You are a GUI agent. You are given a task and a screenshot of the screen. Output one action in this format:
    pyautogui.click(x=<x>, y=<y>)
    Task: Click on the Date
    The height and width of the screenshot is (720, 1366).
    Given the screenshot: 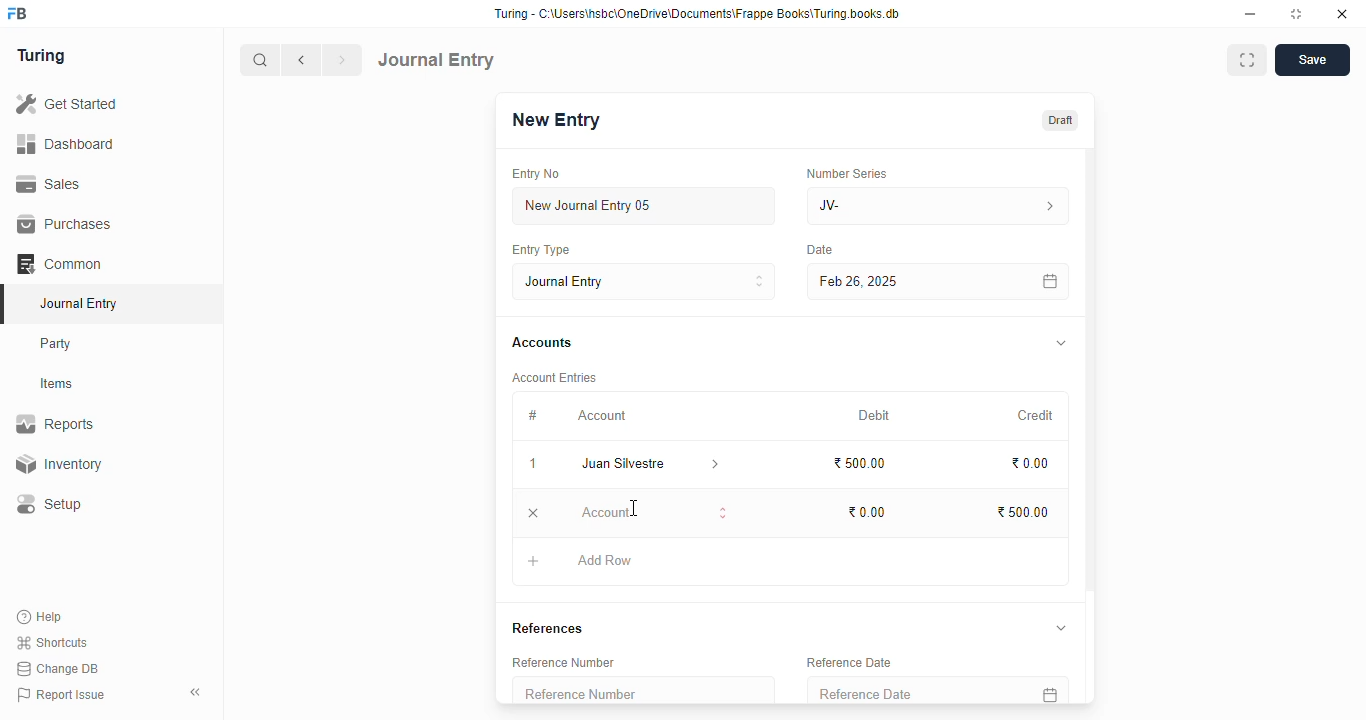 What is the action you would take?
    pyautogui.click(x=821, y=250)
    